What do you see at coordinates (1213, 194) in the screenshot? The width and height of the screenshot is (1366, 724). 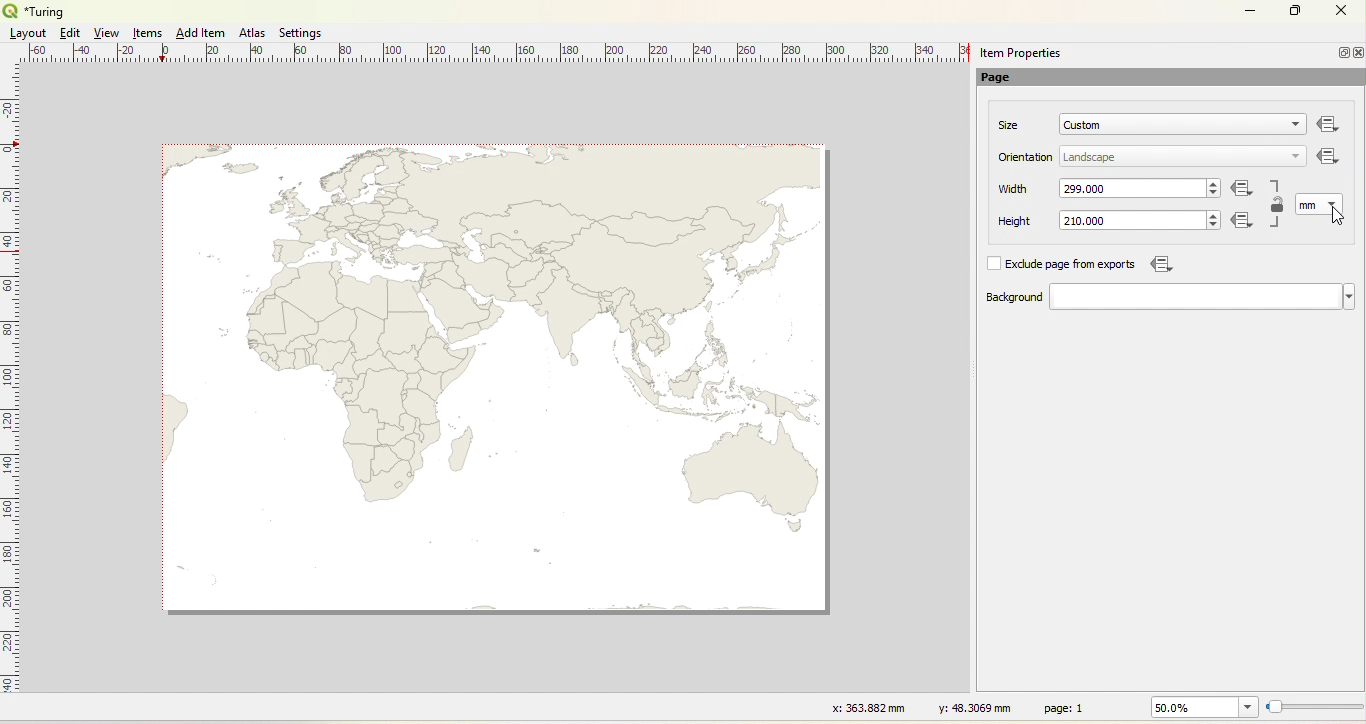 I see `decrease` at bounding box center [1213, 194].